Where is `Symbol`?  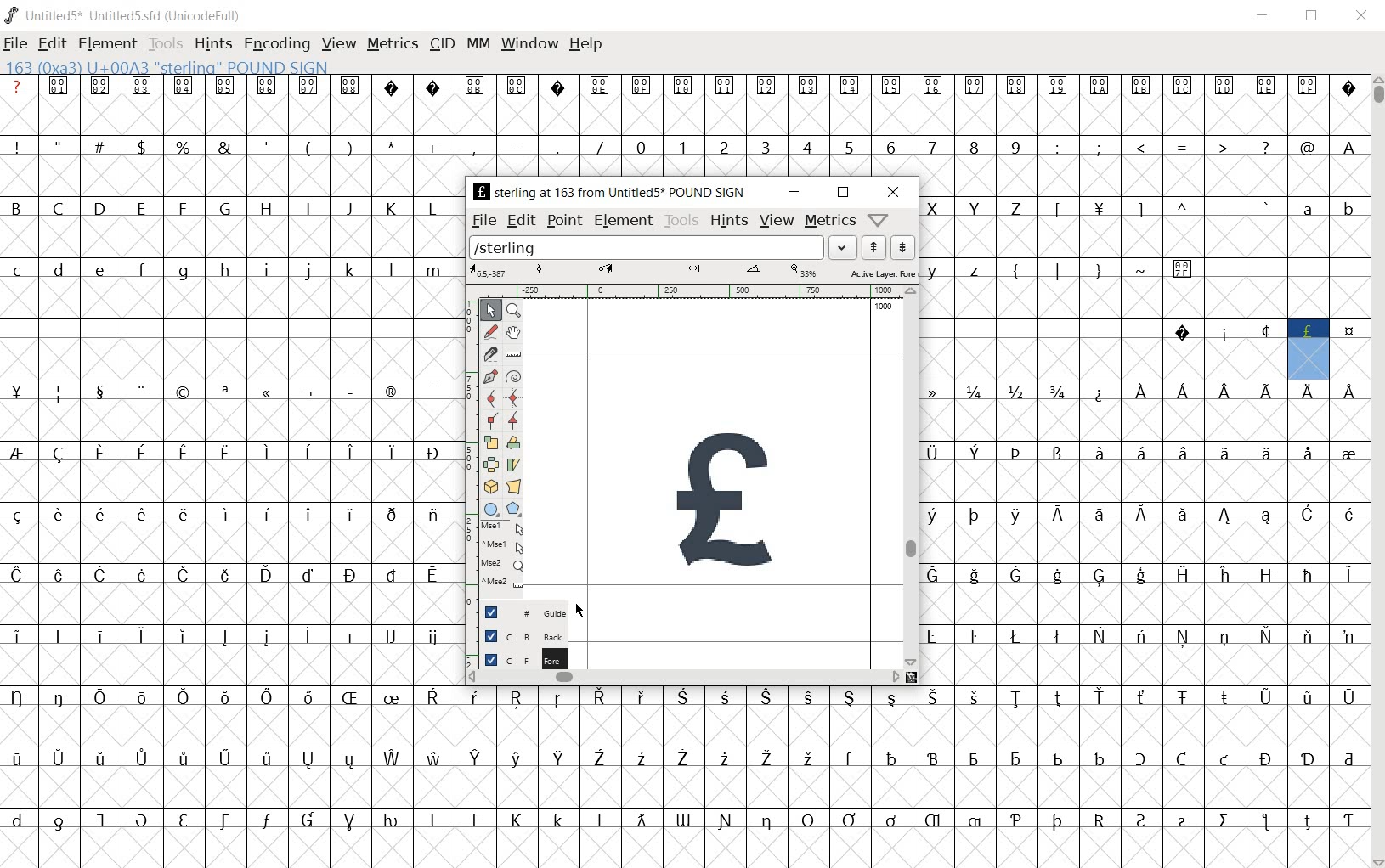
Symbol is located at coordinates (349, 698).